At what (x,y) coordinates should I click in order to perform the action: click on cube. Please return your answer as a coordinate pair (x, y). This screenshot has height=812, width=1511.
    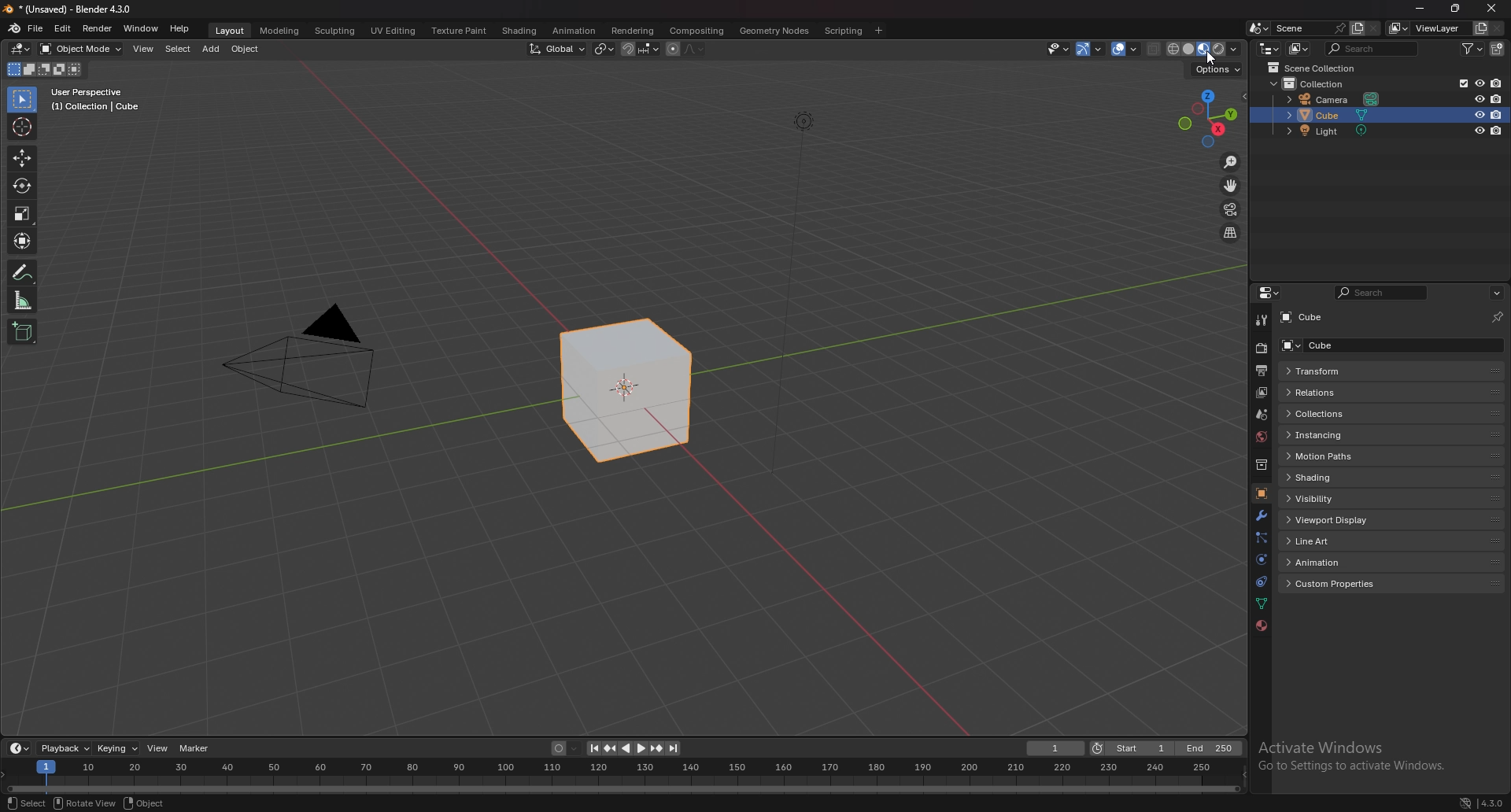
    Looking at the image, I should click on (619, 390).